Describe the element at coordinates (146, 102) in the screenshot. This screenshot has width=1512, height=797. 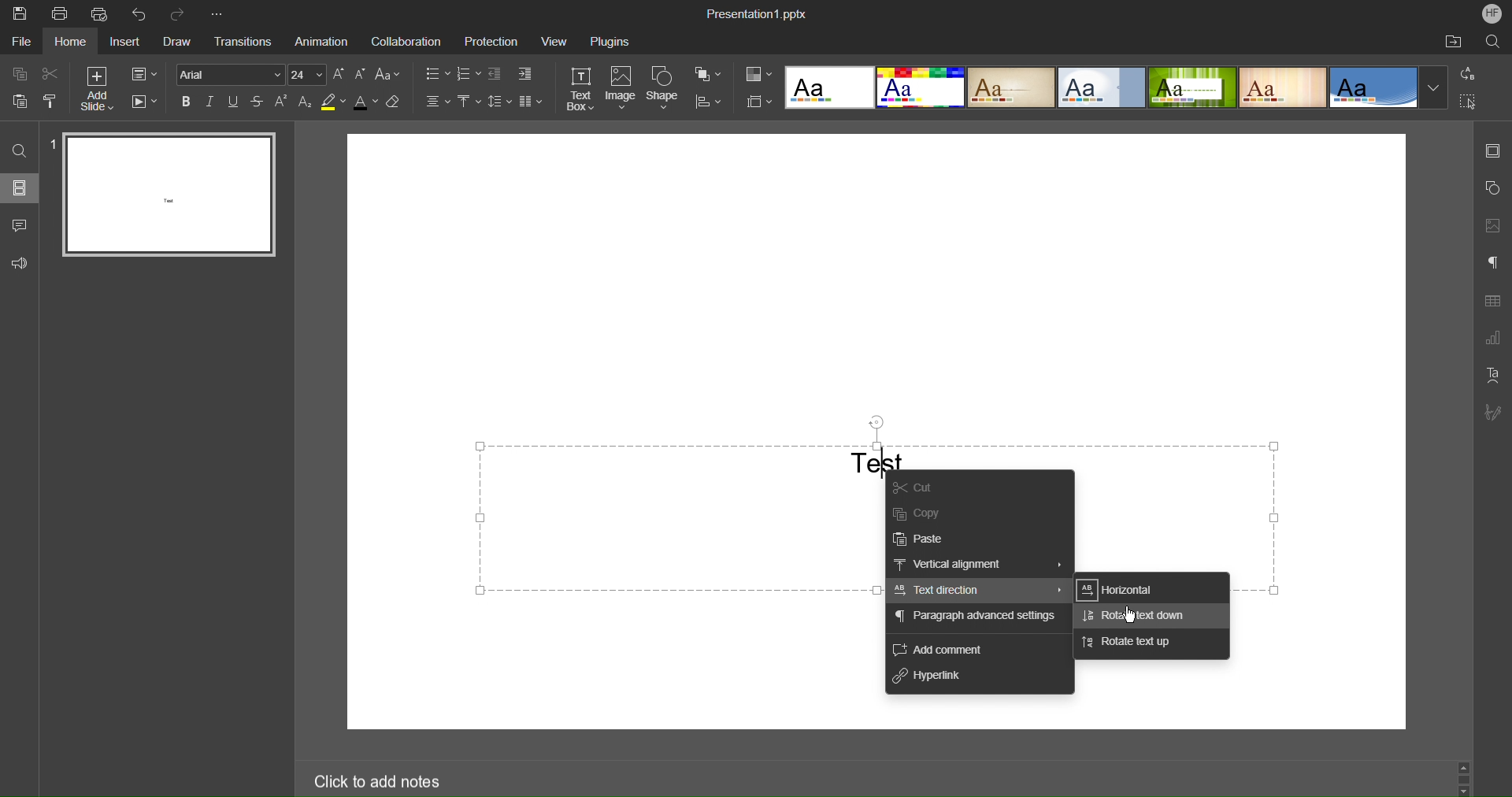
I see `Playback` at that location.